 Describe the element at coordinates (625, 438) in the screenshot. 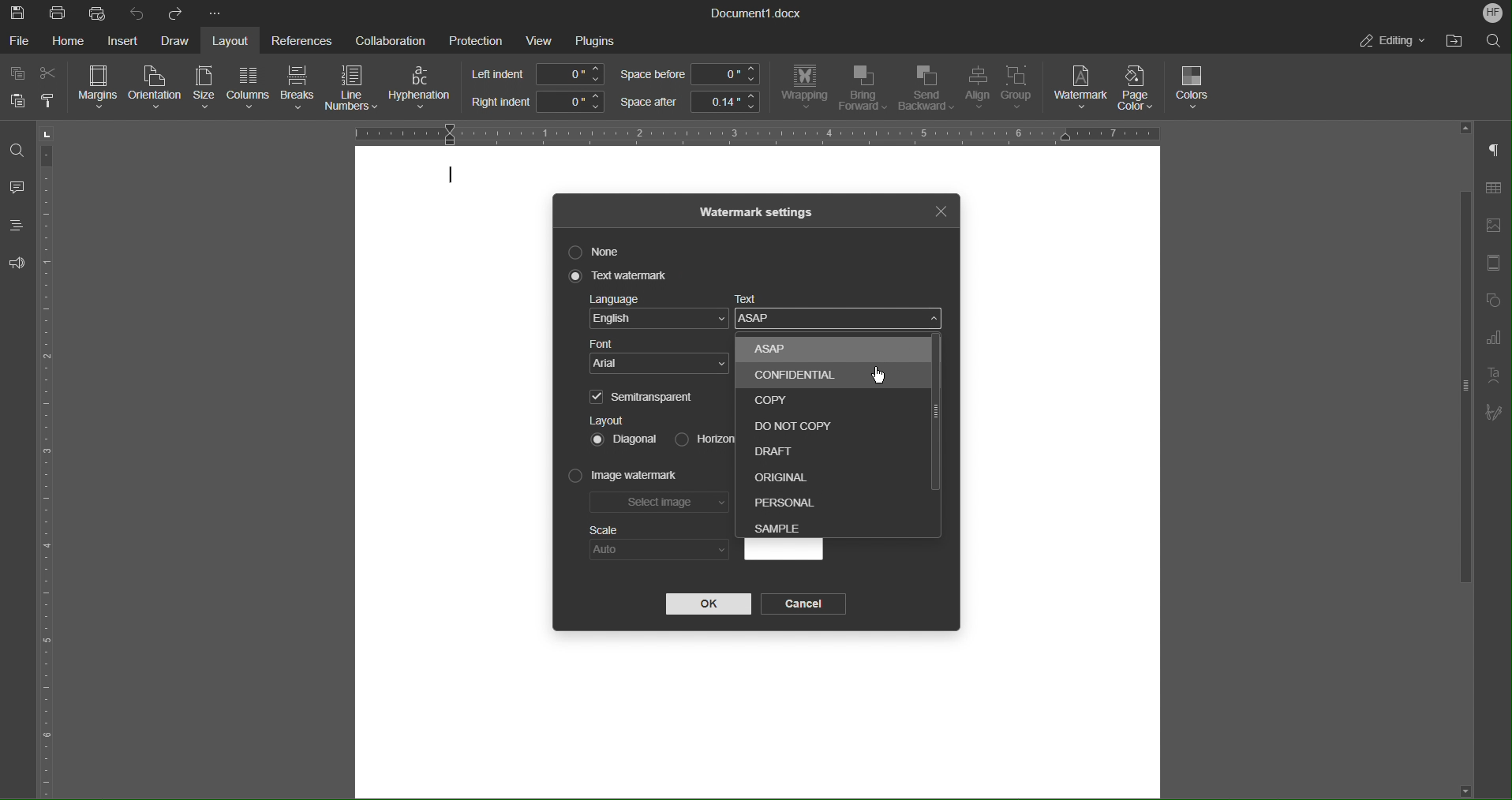

I see `Diagonal` at that location.